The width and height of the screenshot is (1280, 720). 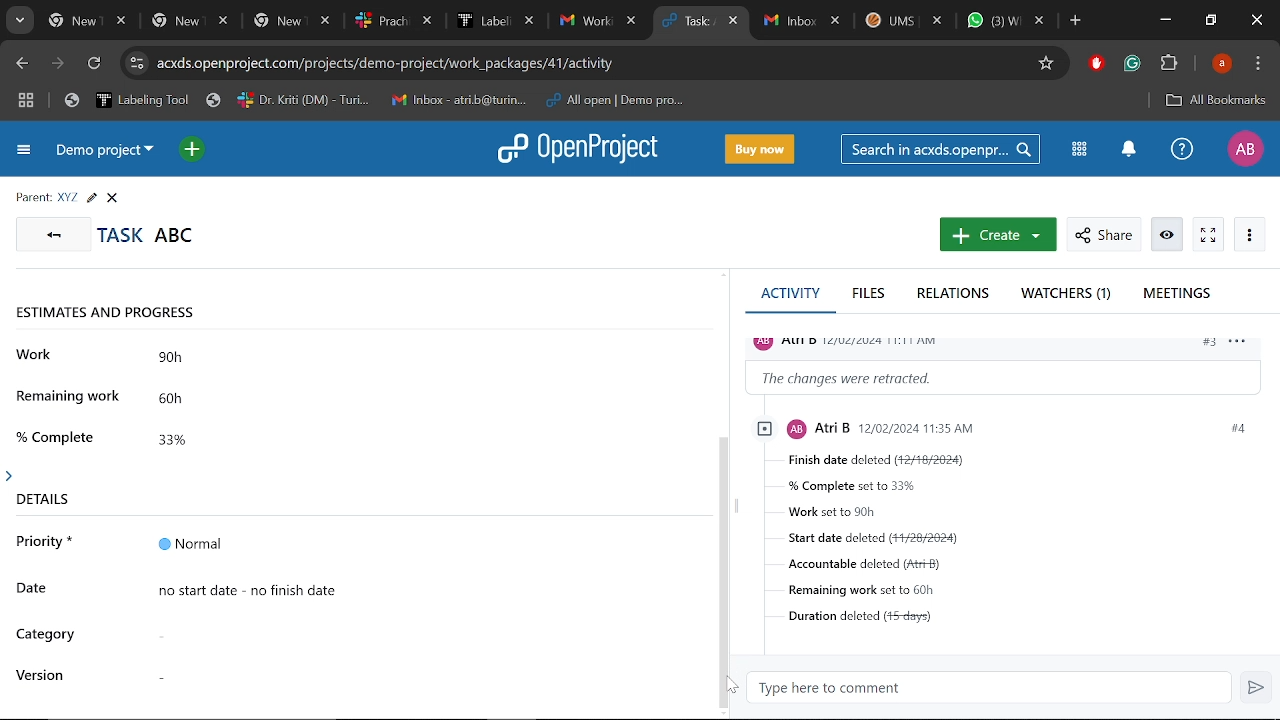 I want to click on Add/remove bookmark, so click(x=1045, y=64).